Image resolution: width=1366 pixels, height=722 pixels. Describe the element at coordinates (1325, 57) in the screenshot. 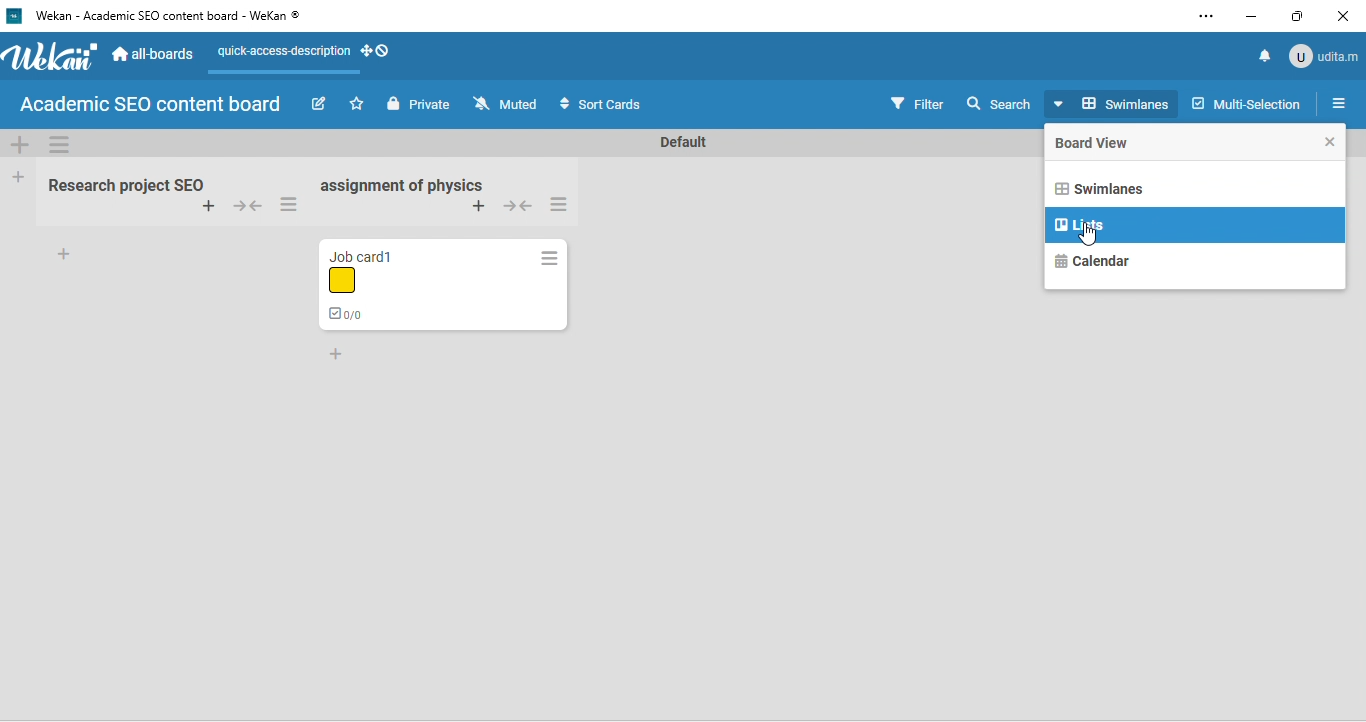

I see `account` at that location.